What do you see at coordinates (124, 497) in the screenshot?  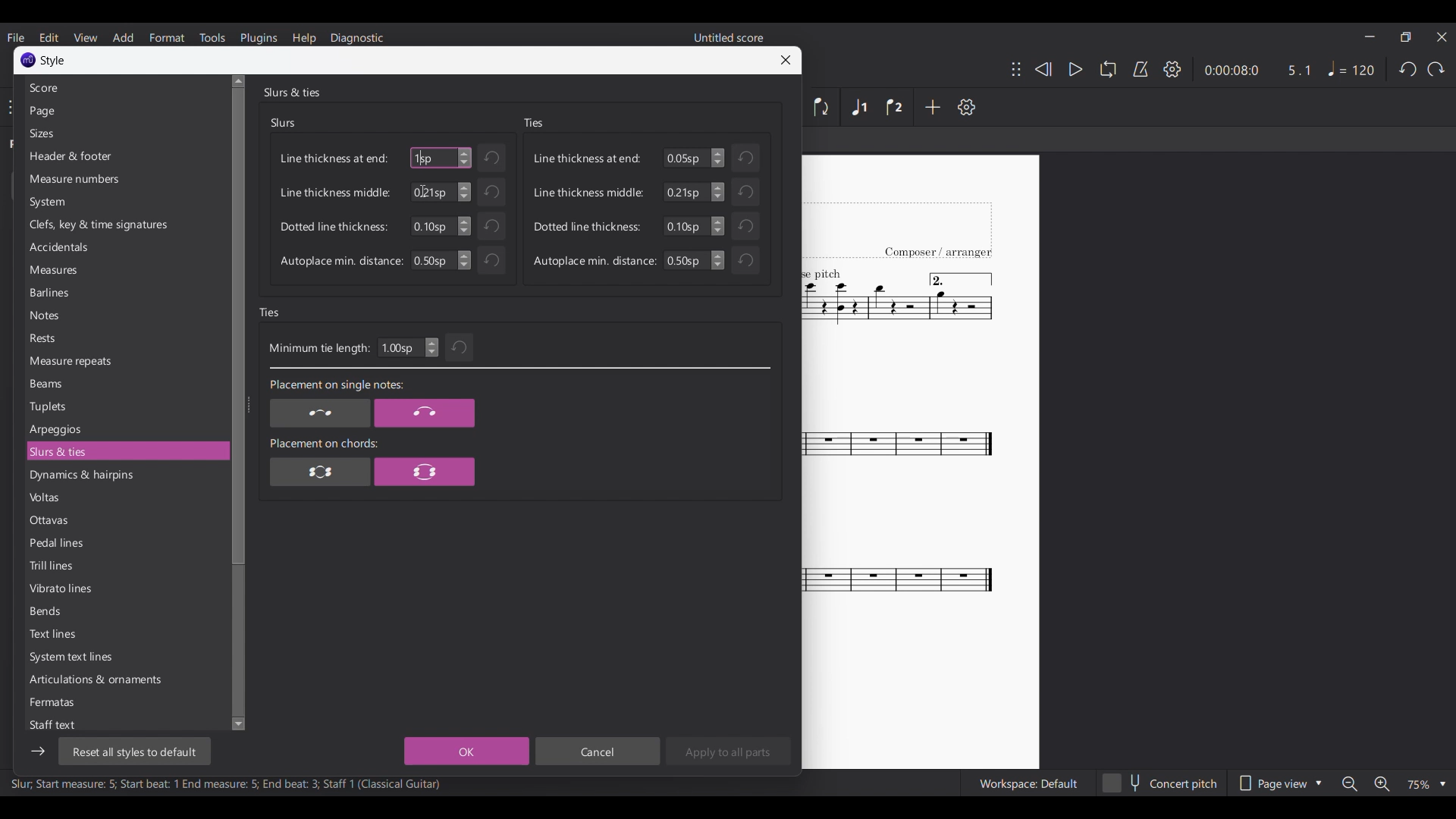 I see `Voltas` at bounding box center [124, 497].